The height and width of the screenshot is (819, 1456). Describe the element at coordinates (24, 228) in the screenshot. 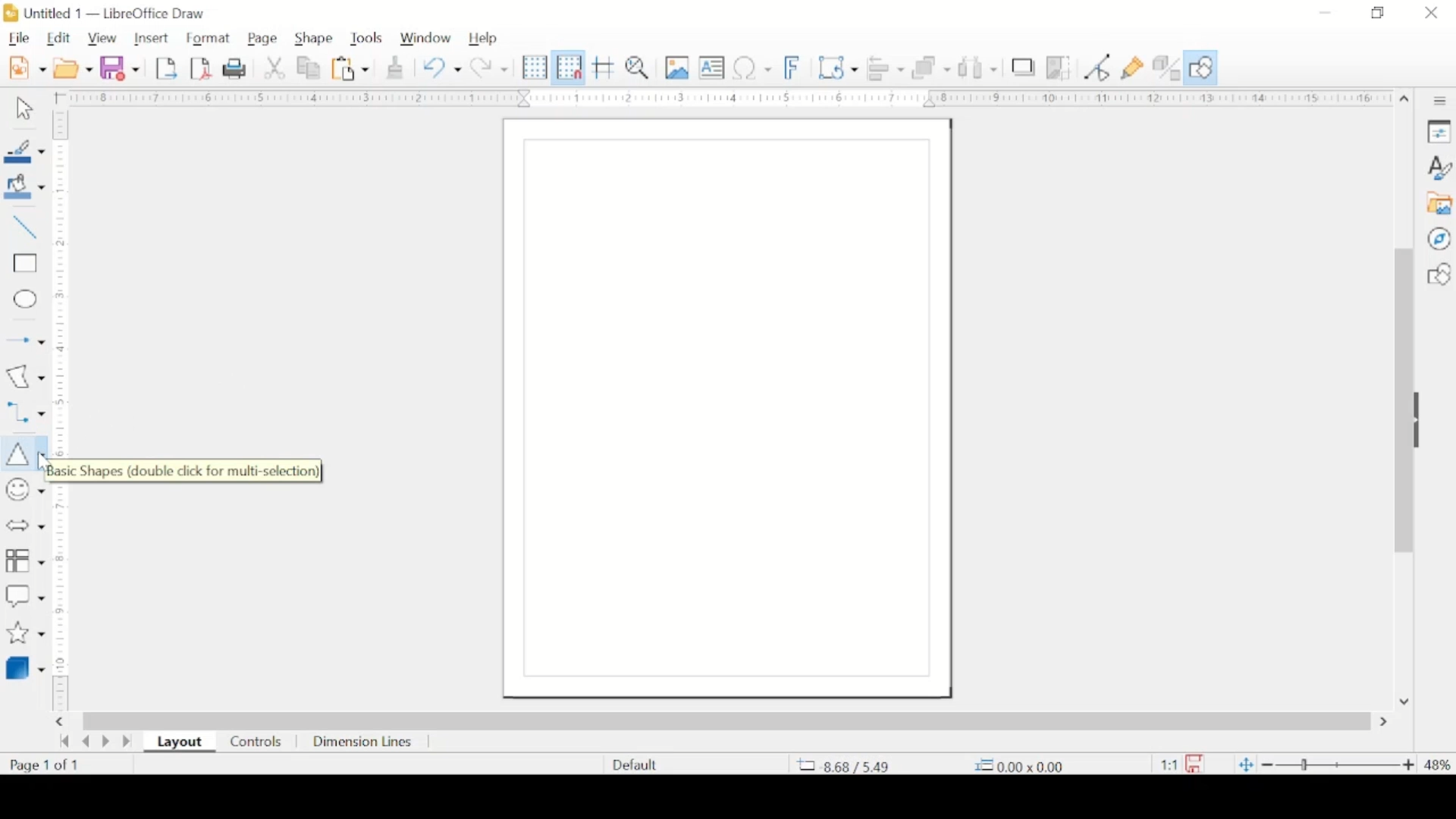

I see `insert line` at that location.